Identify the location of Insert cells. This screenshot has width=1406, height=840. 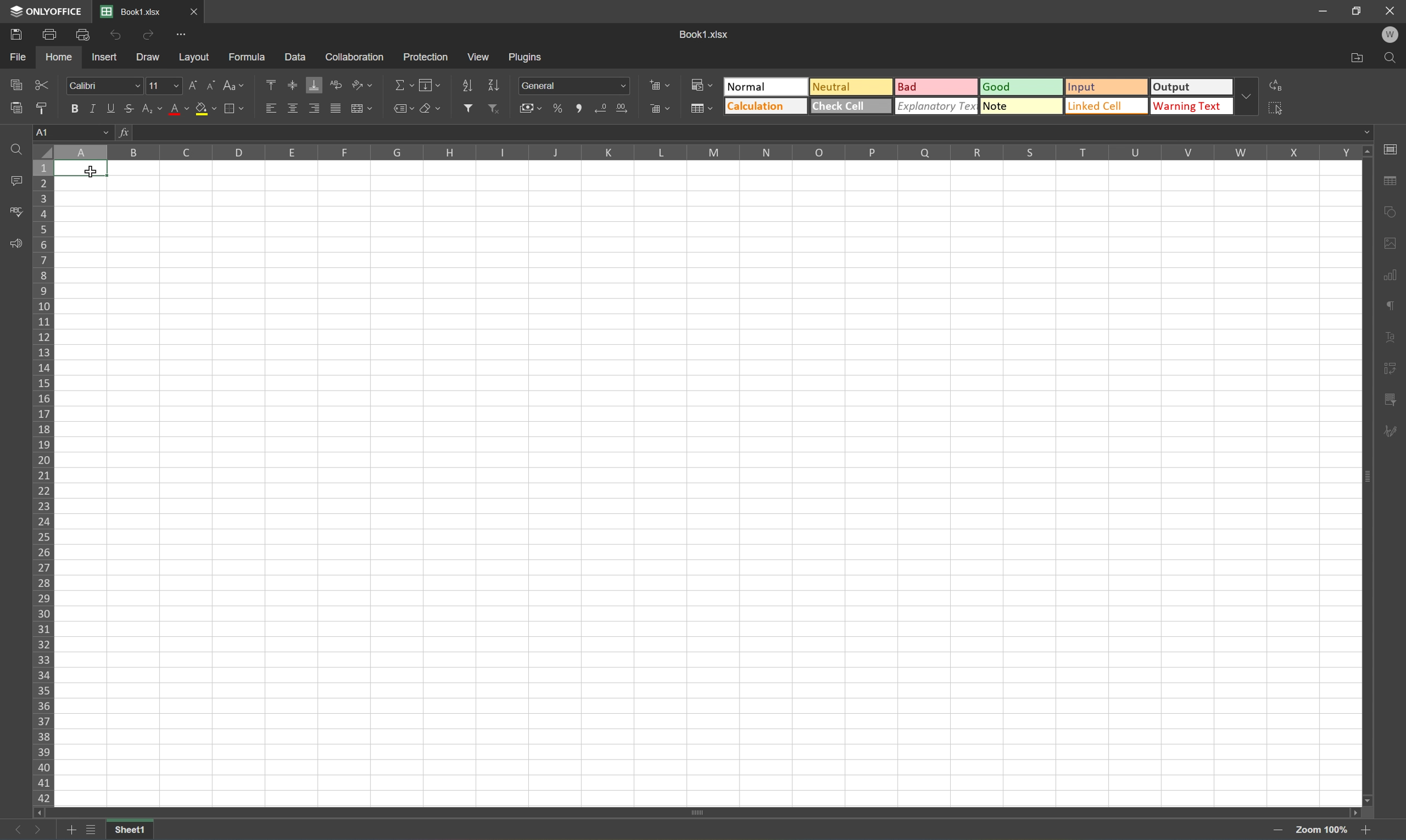
(657, 84).